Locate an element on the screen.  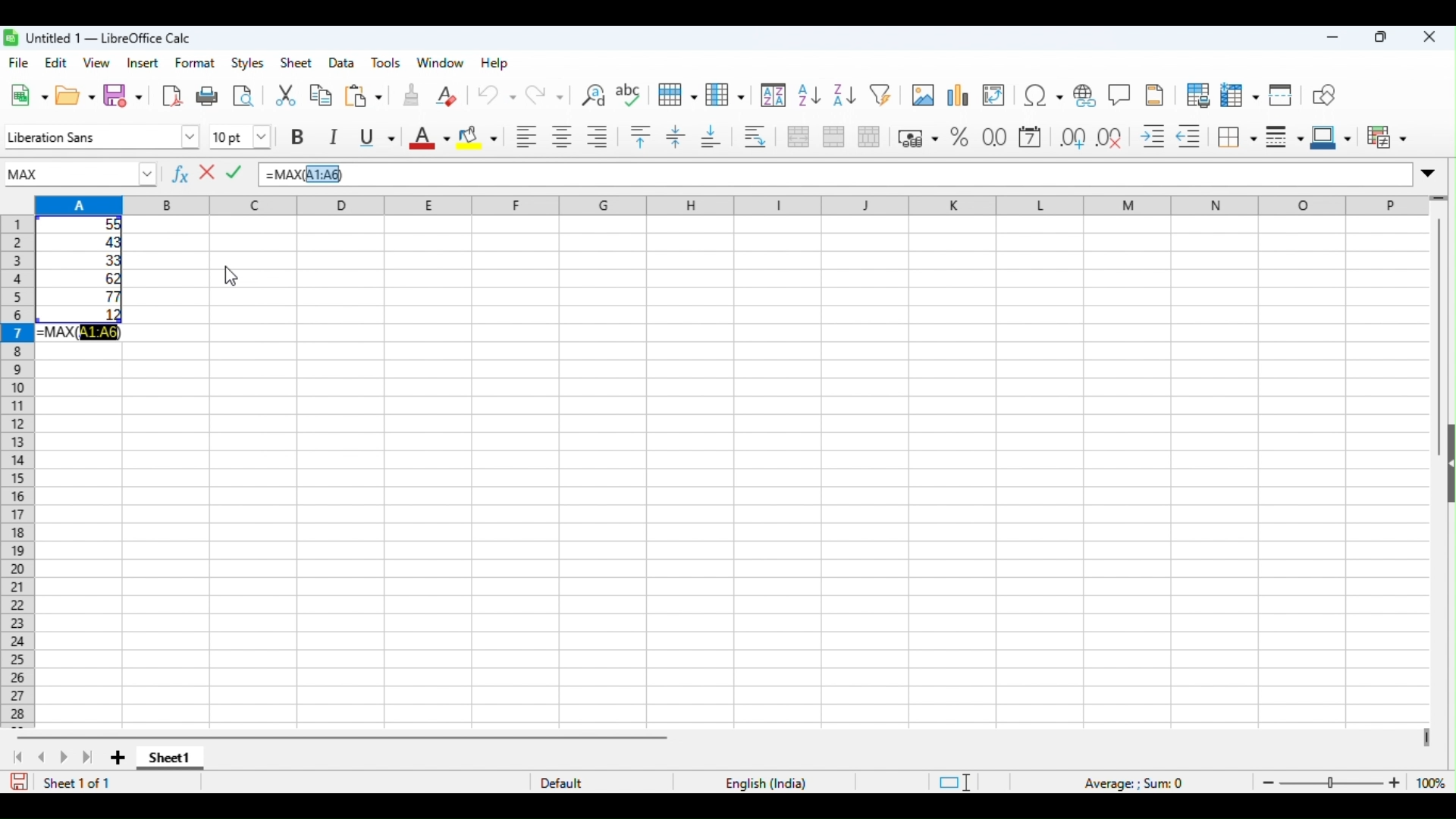
close is located at coordinates (1427, 37).